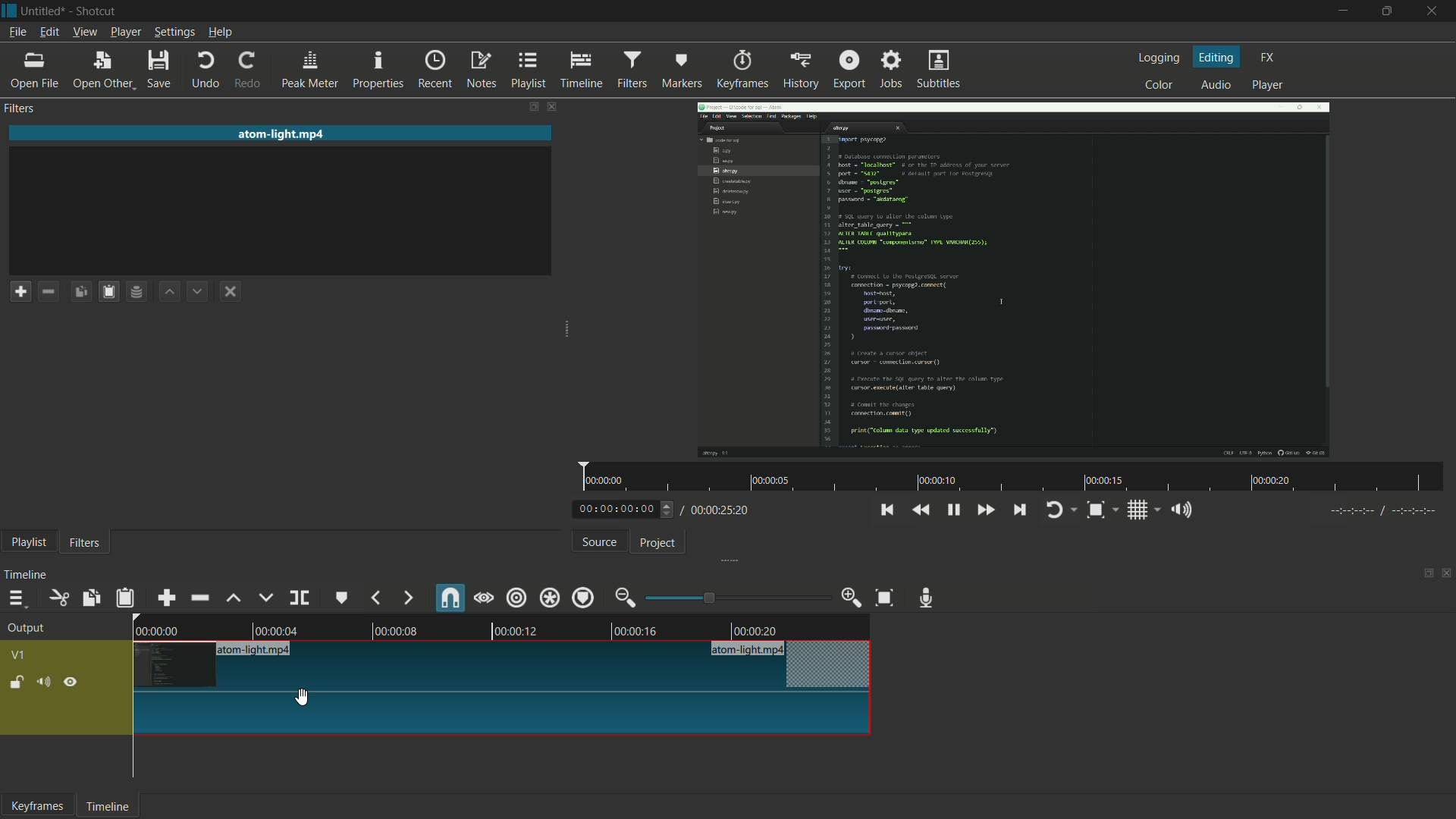 The height and width of the screenshot is (819, 1456). Describe the element at coordinates (174, 33) in the screenshot. I see `settings menu` at that location.